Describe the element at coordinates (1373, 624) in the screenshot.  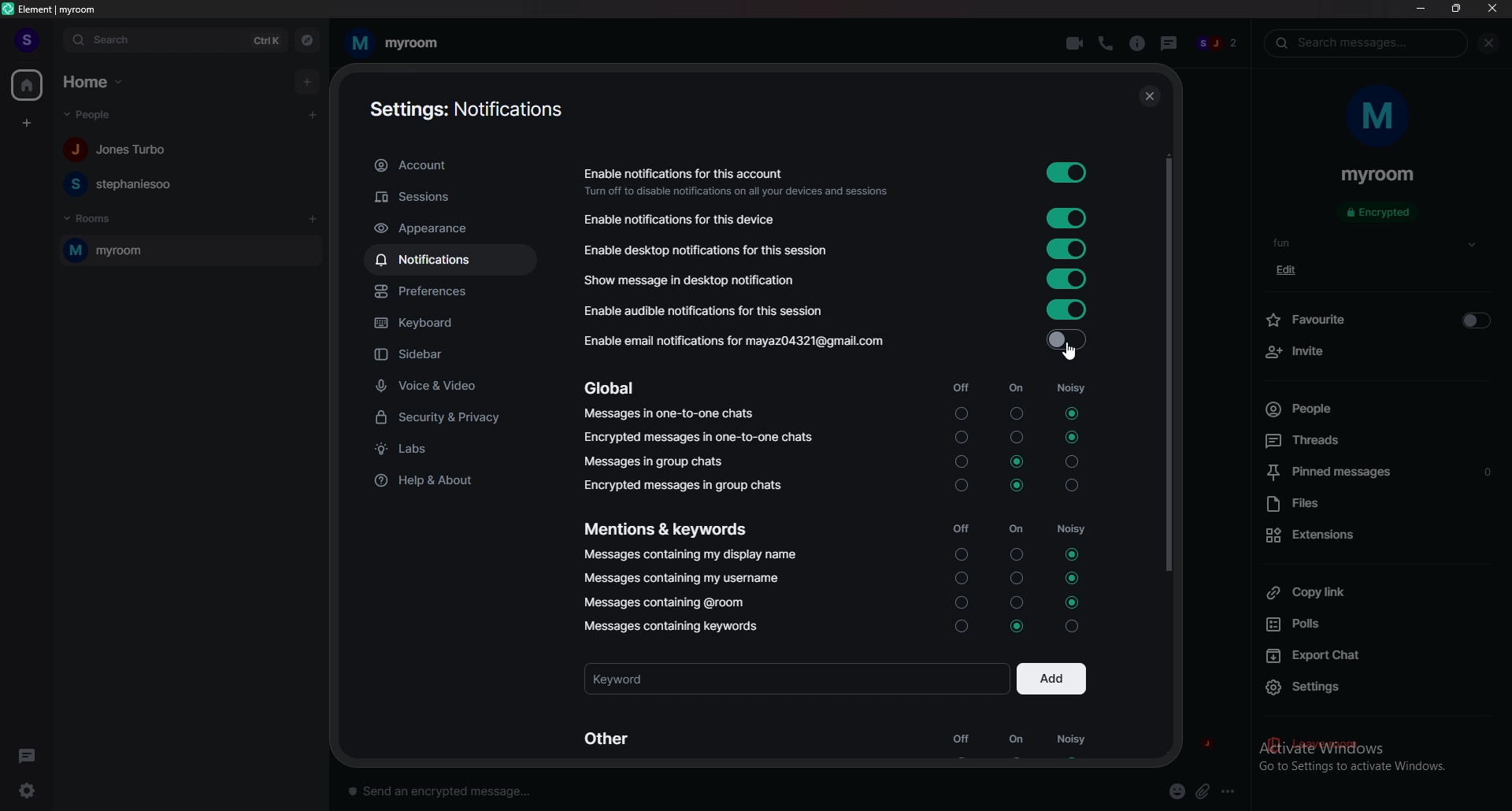
I see `polls` at that location.